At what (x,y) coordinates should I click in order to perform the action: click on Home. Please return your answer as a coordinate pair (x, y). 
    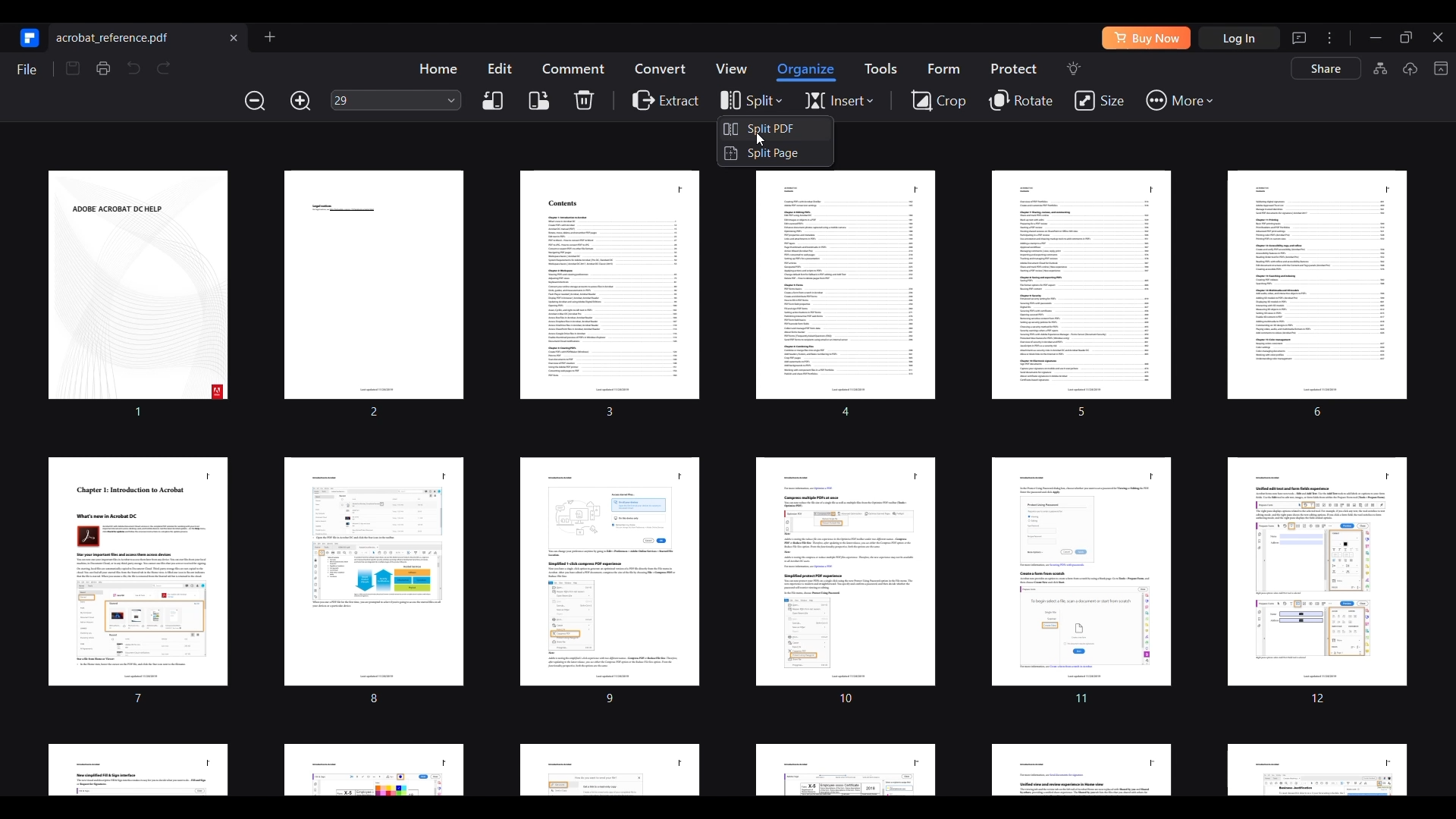
    Looking at the image, I should click on (438, 68).